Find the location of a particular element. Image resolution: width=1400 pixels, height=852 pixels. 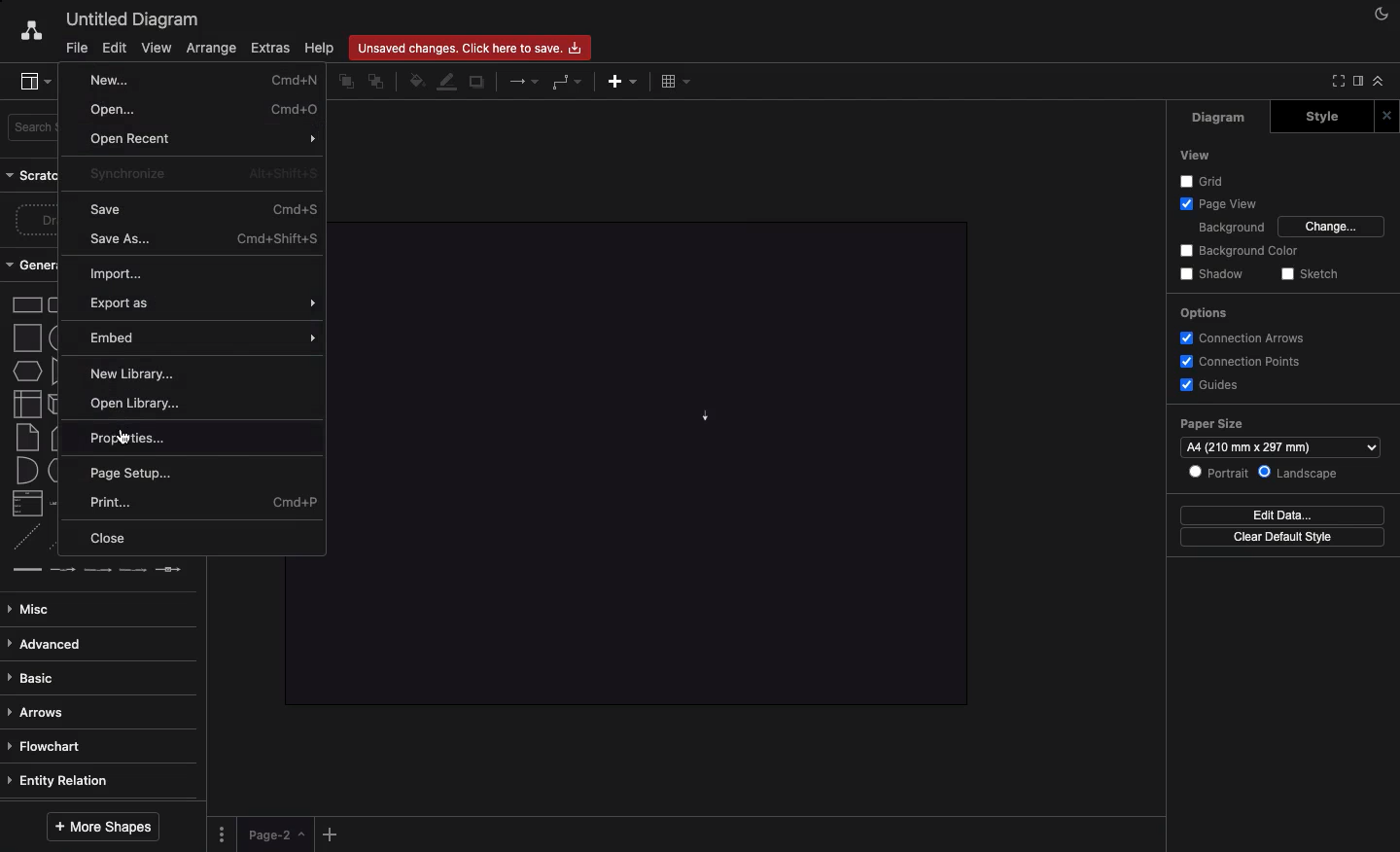

Close is located at coordinates (1386, 116).